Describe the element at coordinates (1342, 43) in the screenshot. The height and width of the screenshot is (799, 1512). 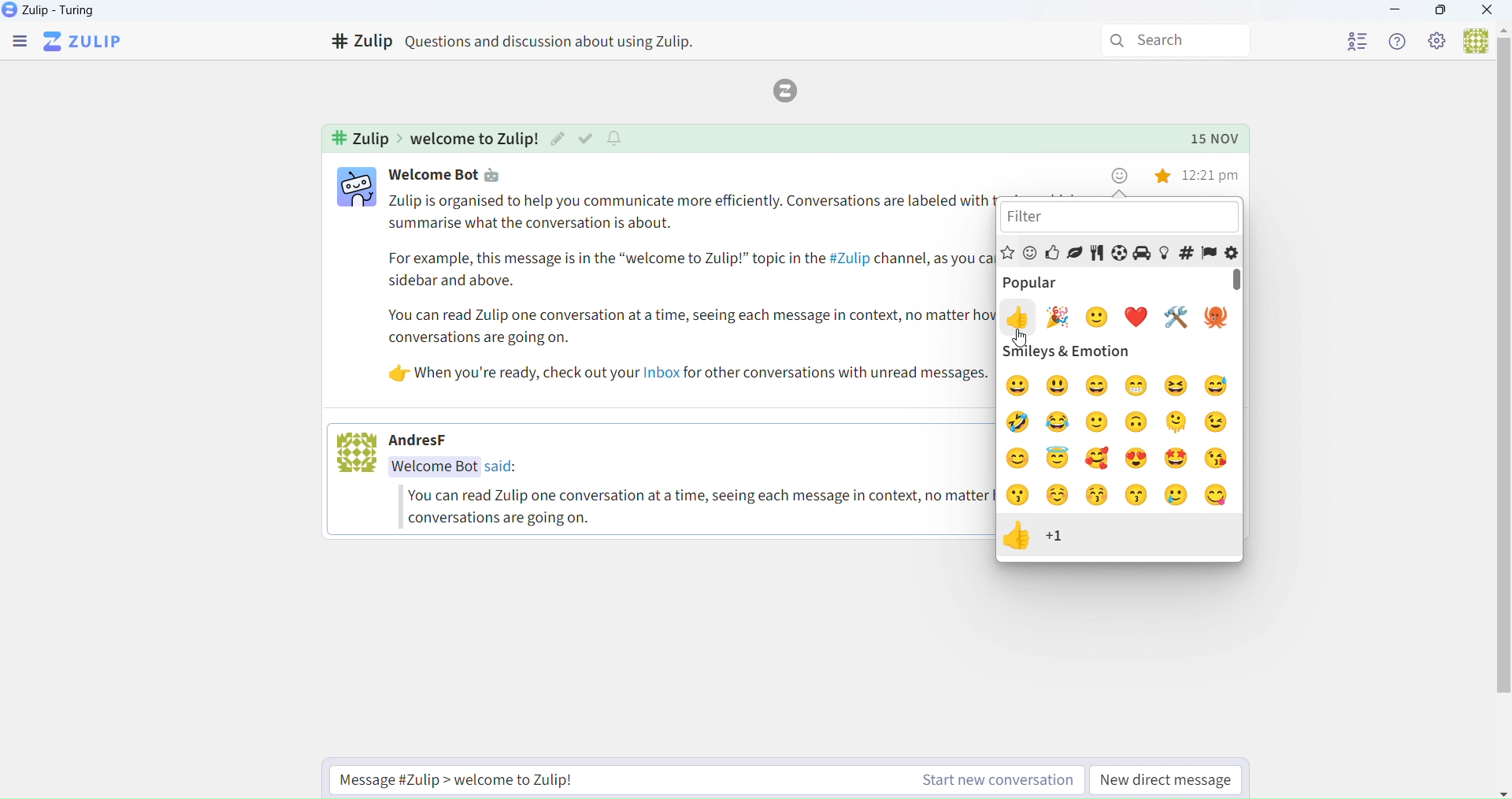
I see `User list` at that location.